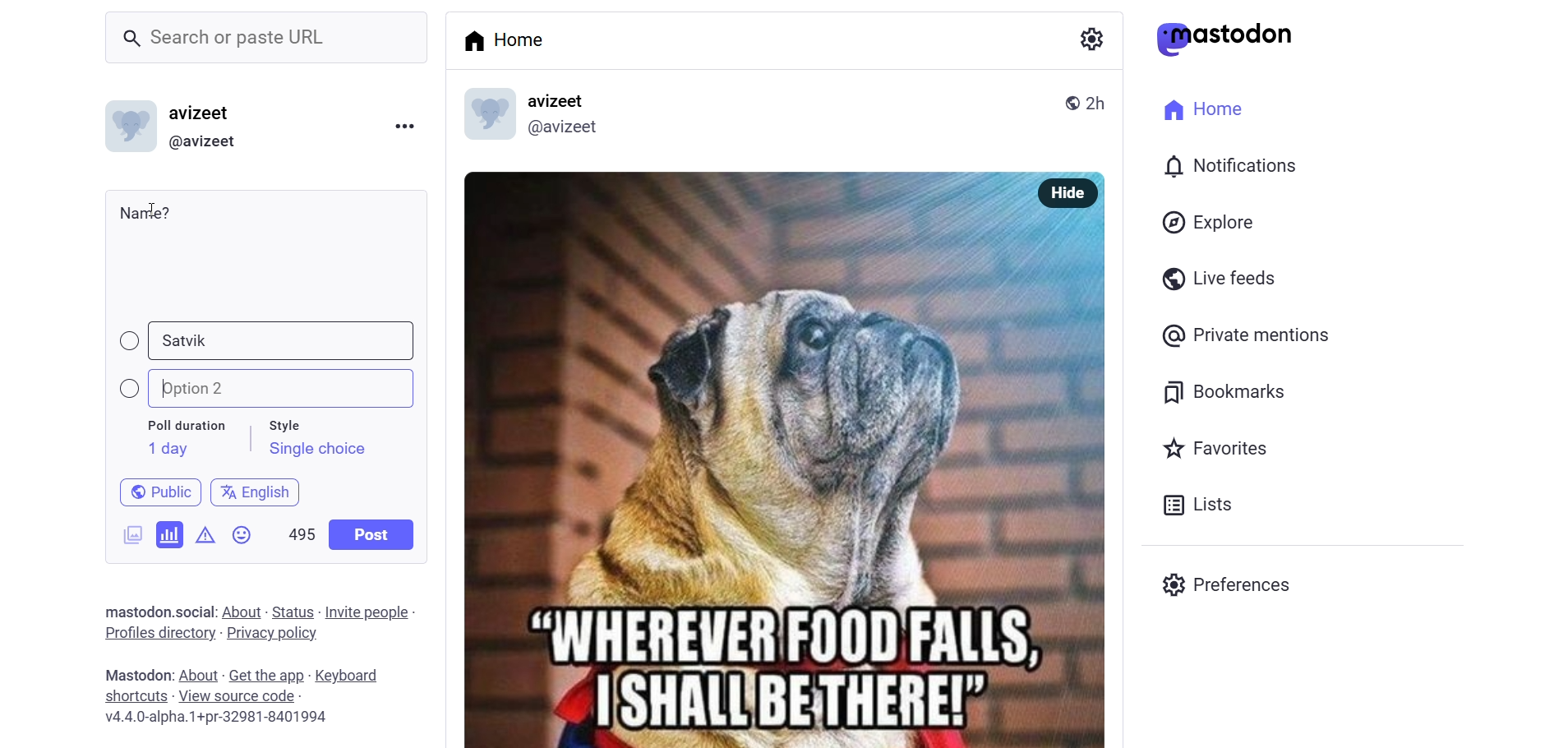 The image size is (1568, 748). What do you see at coordinates (218, 719) in the screenshot?
I see `version` at bounding box center [218, 719].